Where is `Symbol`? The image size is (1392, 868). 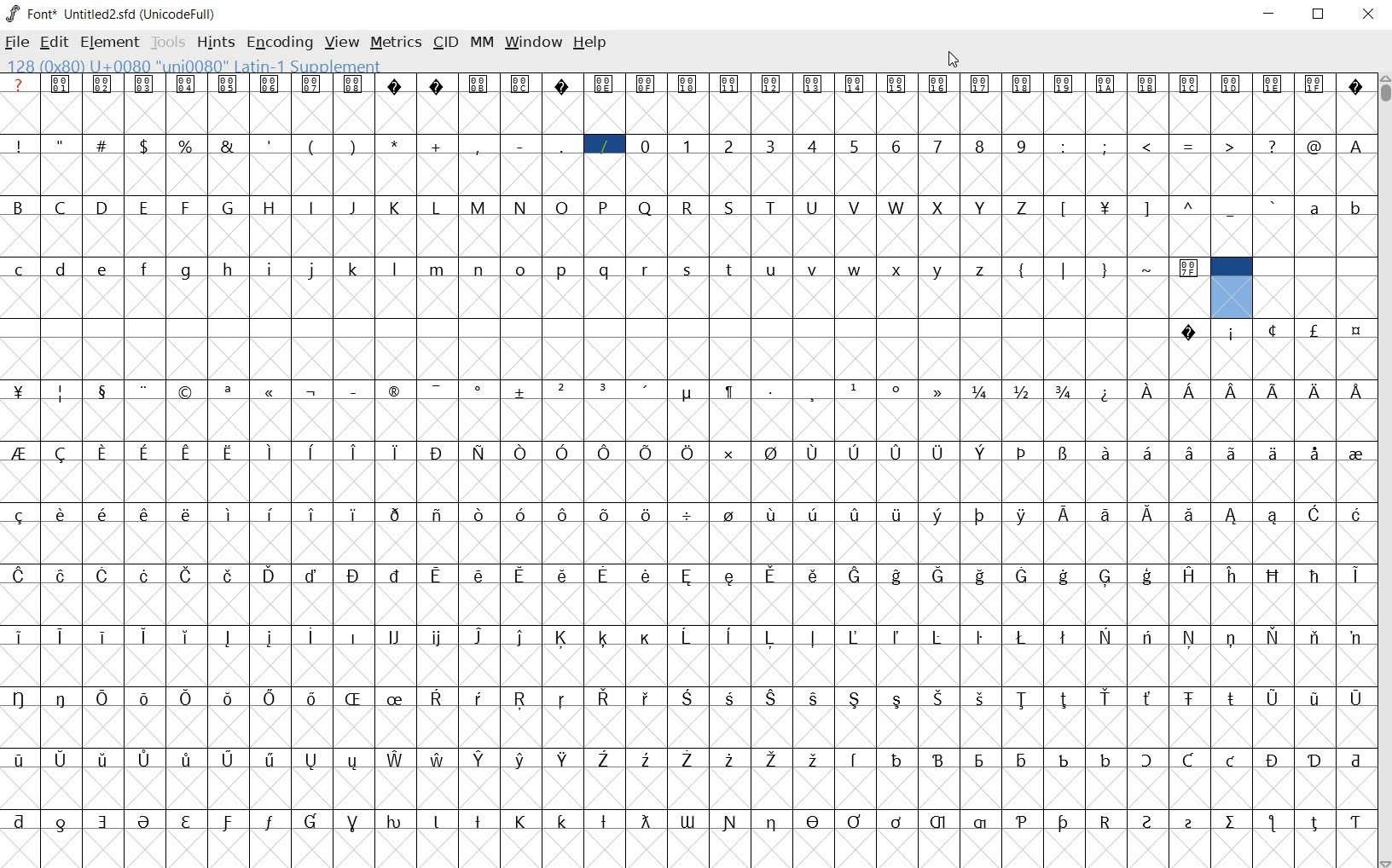 Symbol is located at coordinates (1274, 390).